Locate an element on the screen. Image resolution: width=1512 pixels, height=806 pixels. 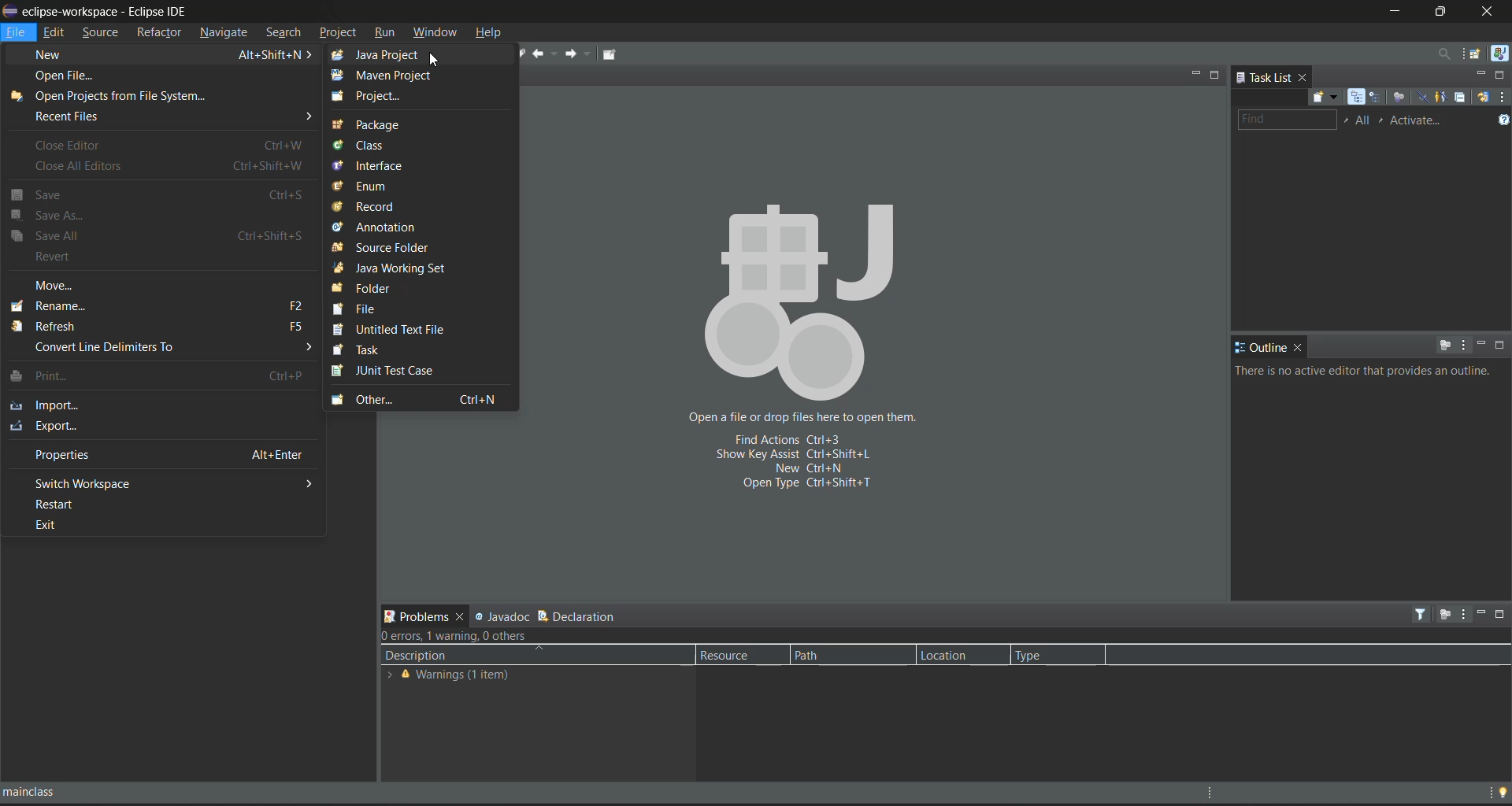
access commands and other items is located at coordinates (1440, 52).